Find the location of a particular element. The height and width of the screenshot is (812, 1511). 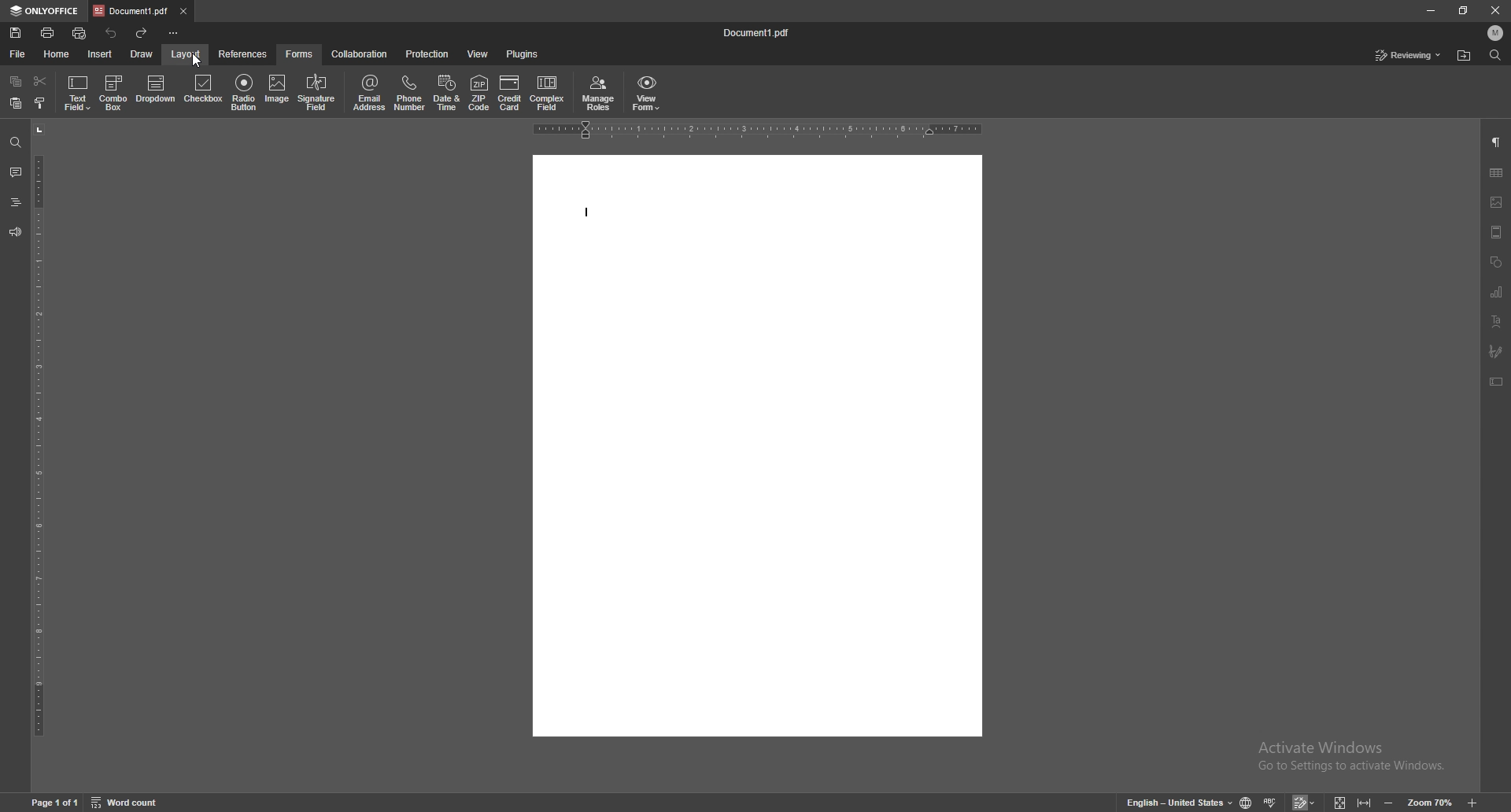

comment is located at coordinates (16, 173).